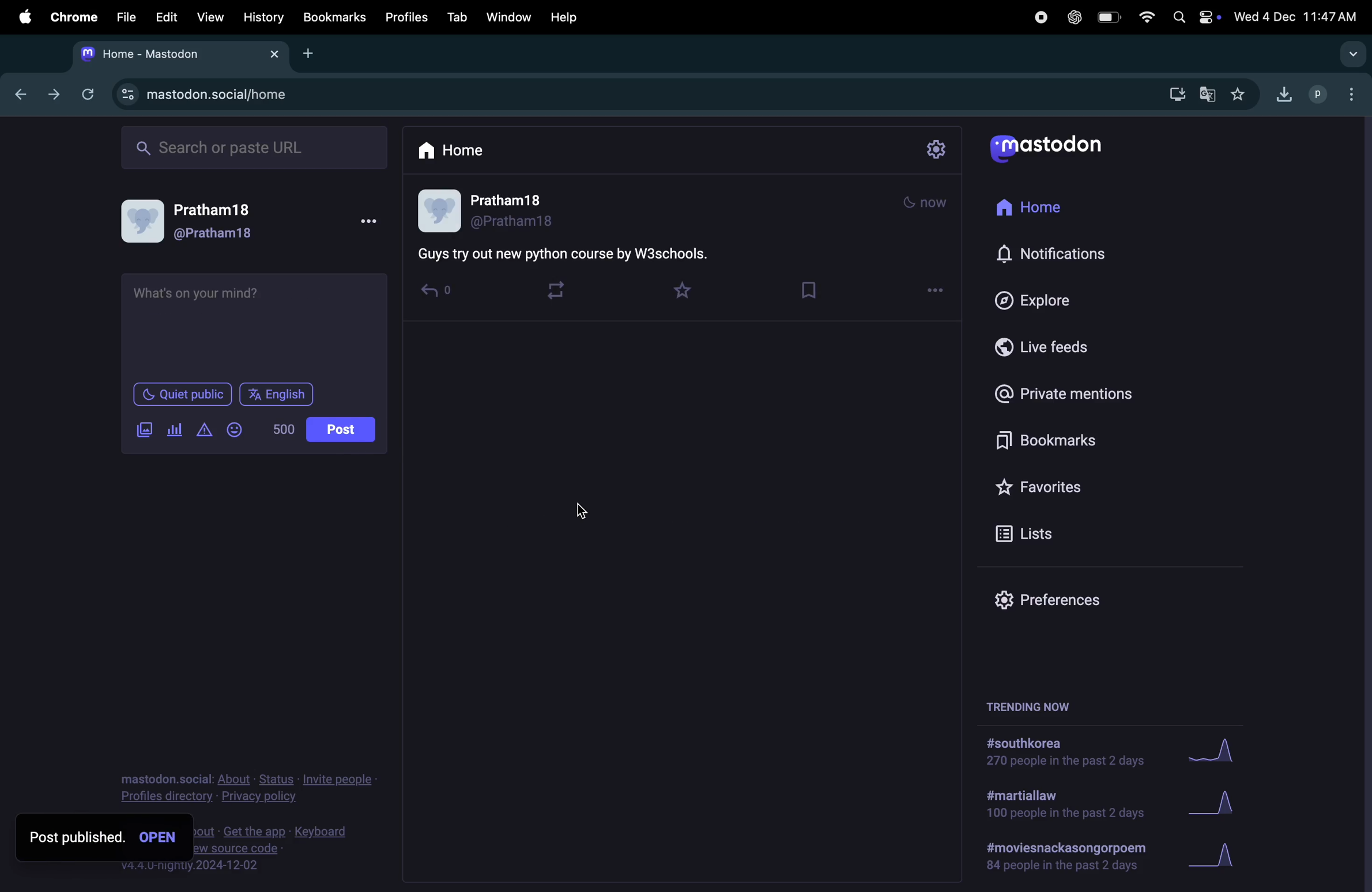  I want to click on , so click(1339, 52).